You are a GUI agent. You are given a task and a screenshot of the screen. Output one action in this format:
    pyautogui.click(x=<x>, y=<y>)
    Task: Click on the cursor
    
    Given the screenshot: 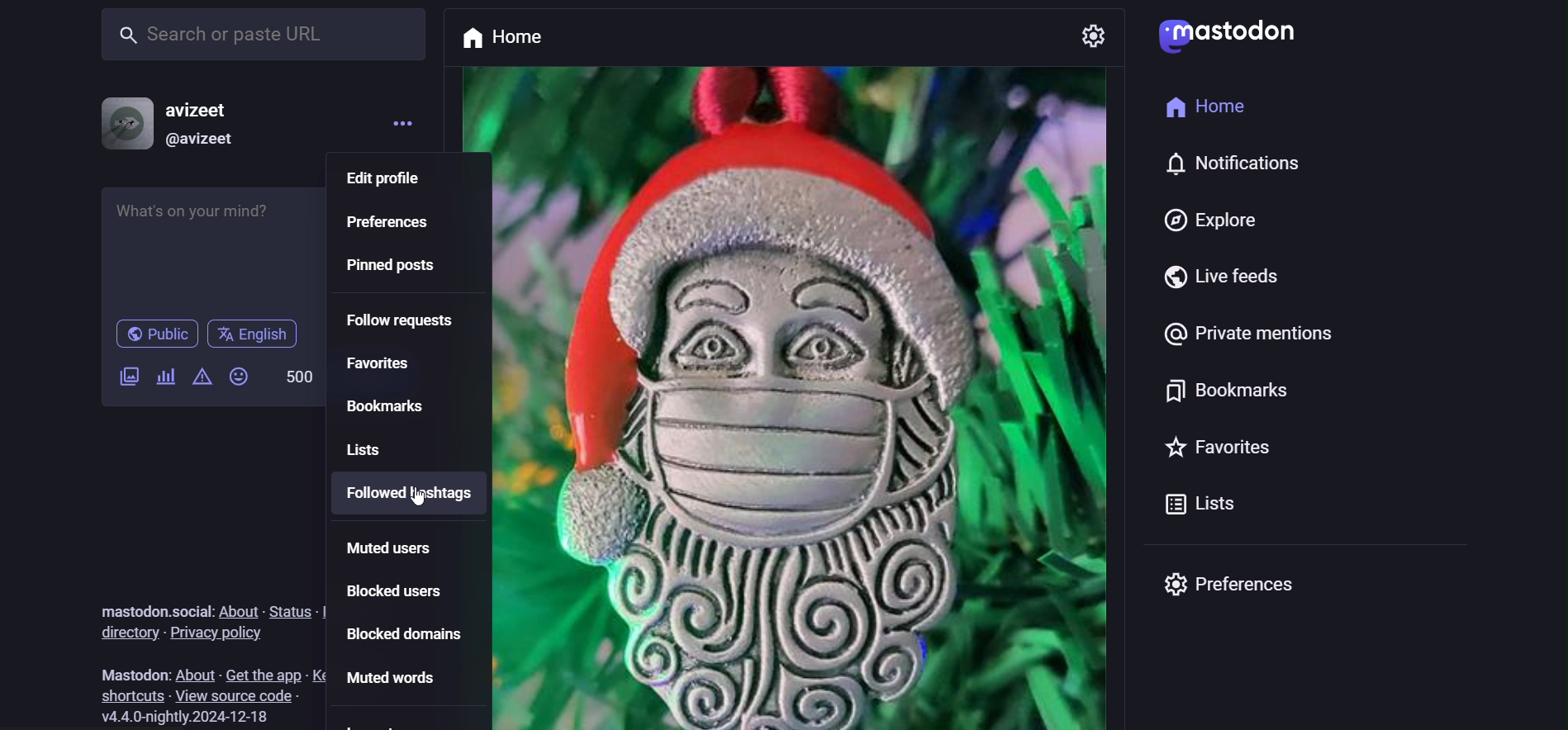 What is the action you would take?
    pyautogui.click(x=425, y=508)
    